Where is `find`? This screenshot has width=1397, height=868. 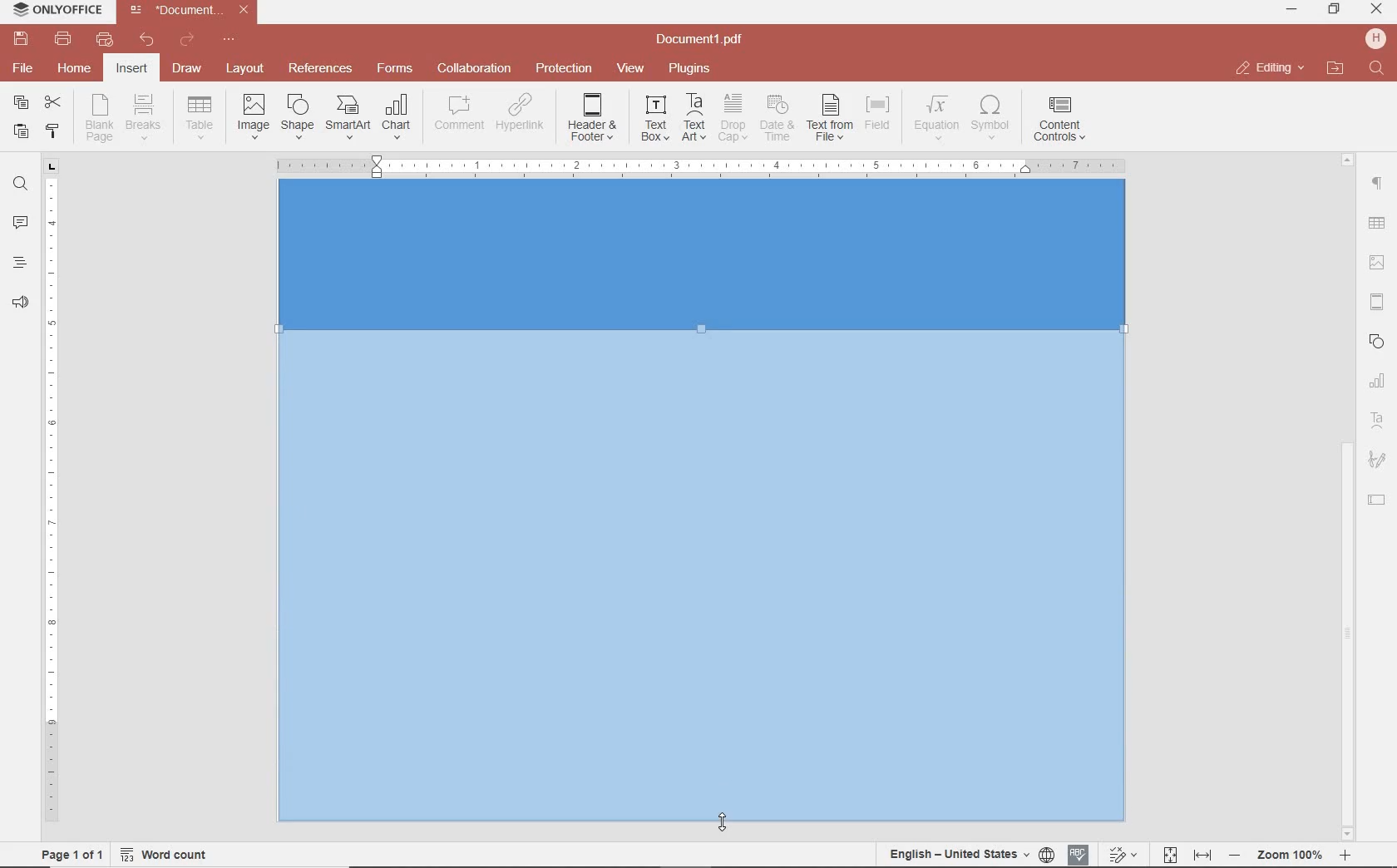
find is located at coordinates (20, 182).